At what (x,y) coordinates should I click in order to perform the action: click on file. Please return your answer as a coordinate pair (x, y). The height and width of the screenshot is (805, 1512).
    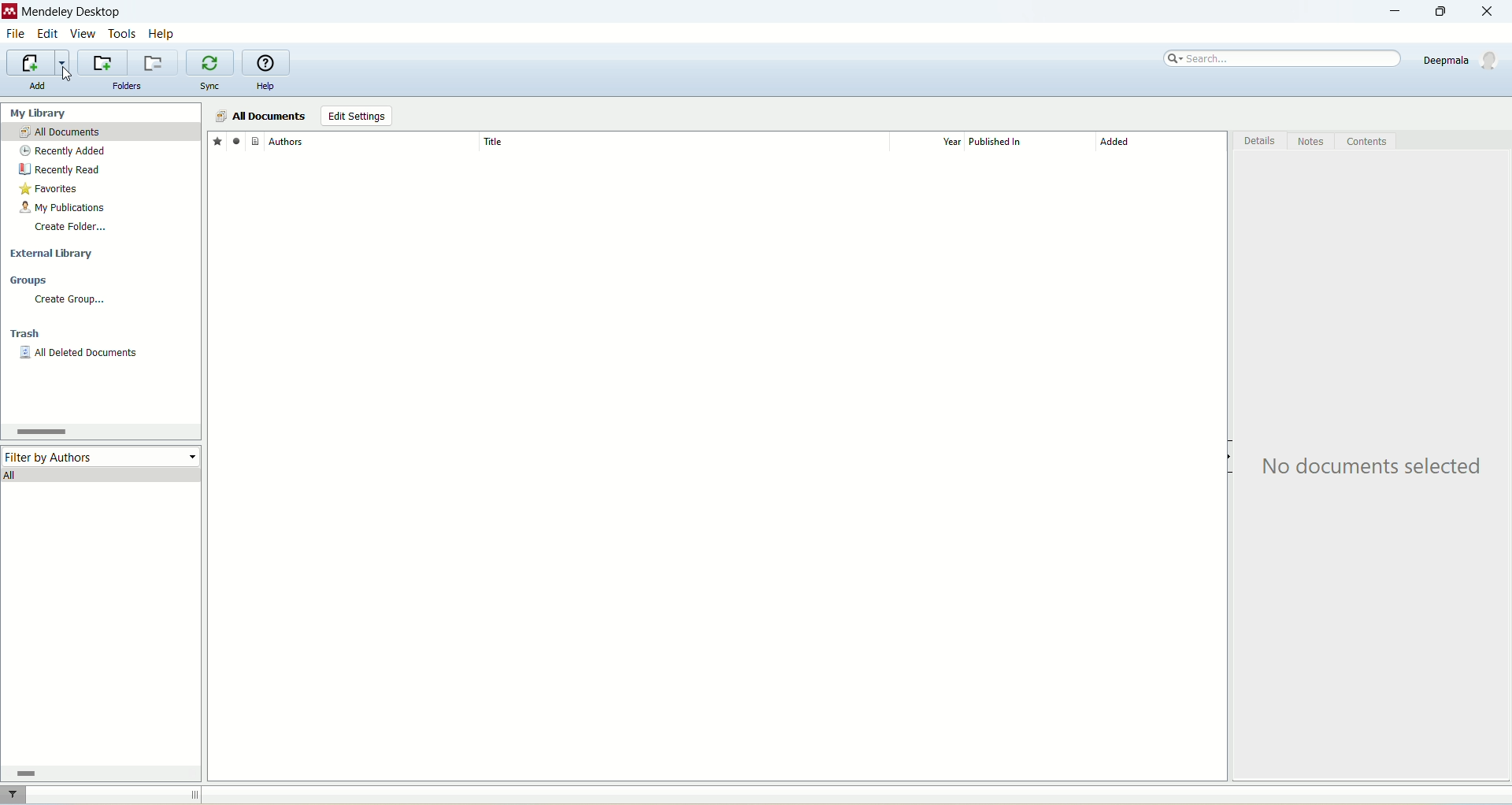
    Looking at the image, I should click on (15, 35).